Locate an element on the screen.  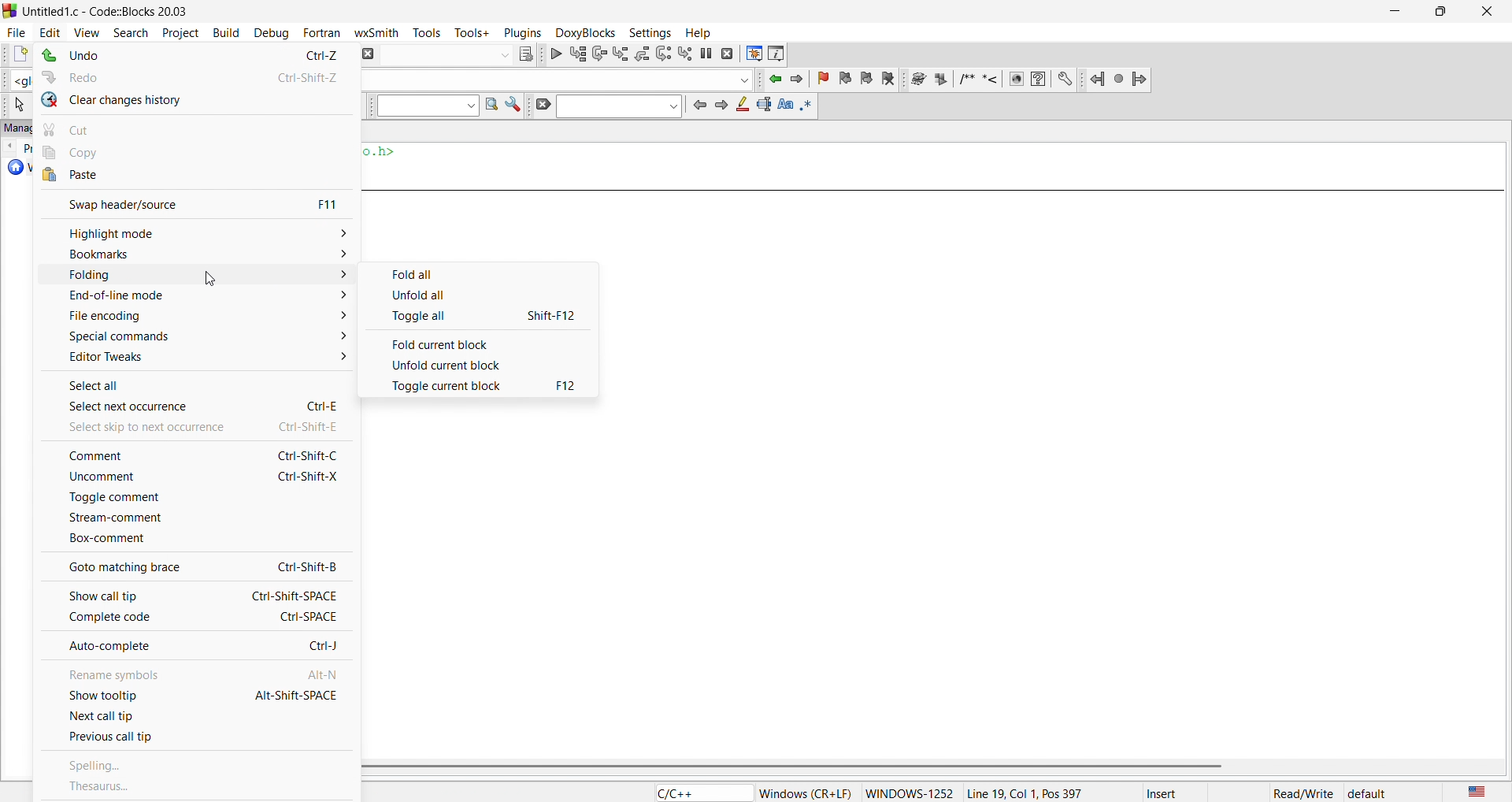
show selected target dialog is located at coordinates (524, 53).